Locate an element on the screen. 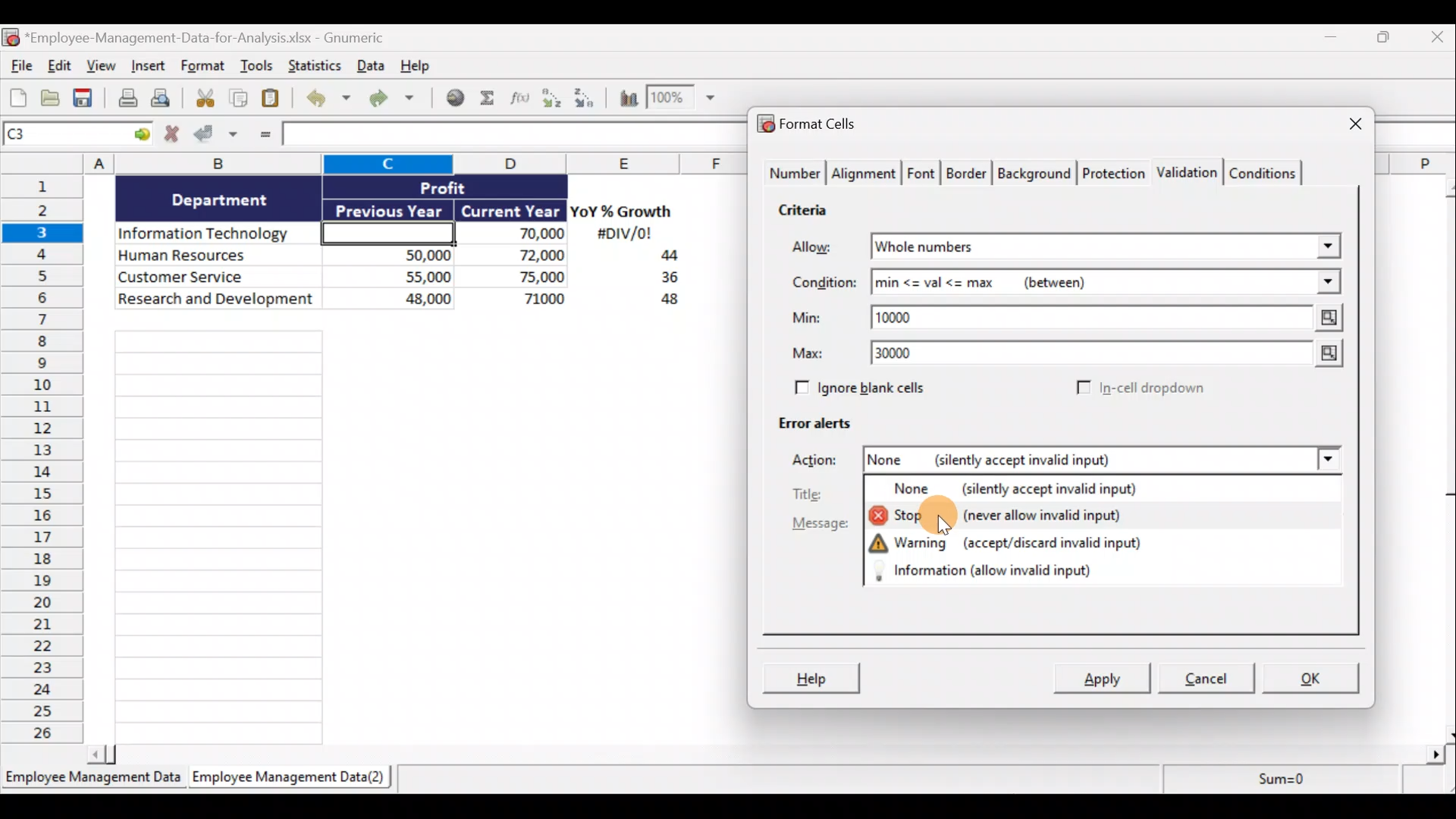  Actions is located at coordinates (823, 462).